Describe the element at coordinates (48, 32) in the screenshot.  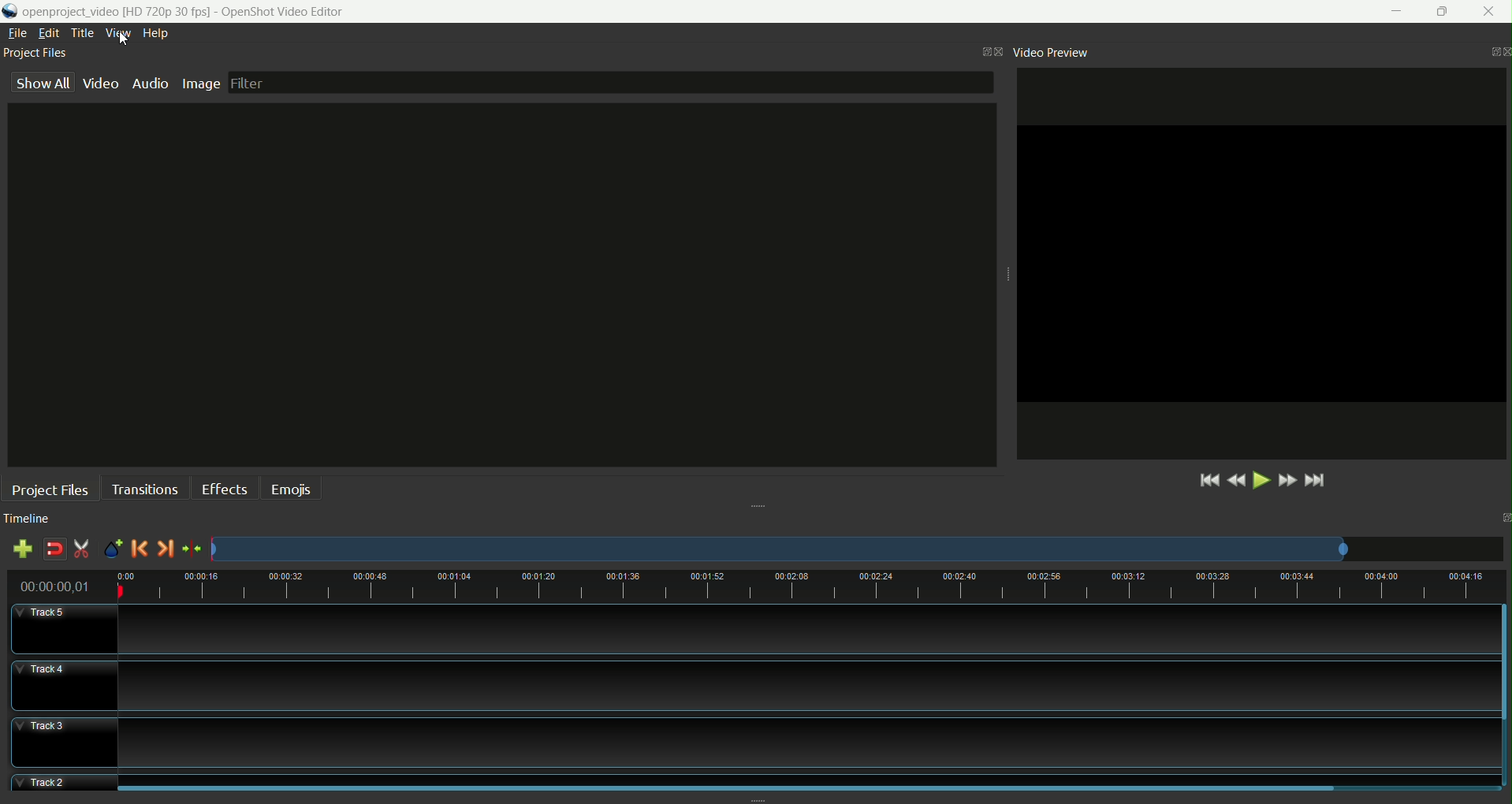
I see `edit` at that location.